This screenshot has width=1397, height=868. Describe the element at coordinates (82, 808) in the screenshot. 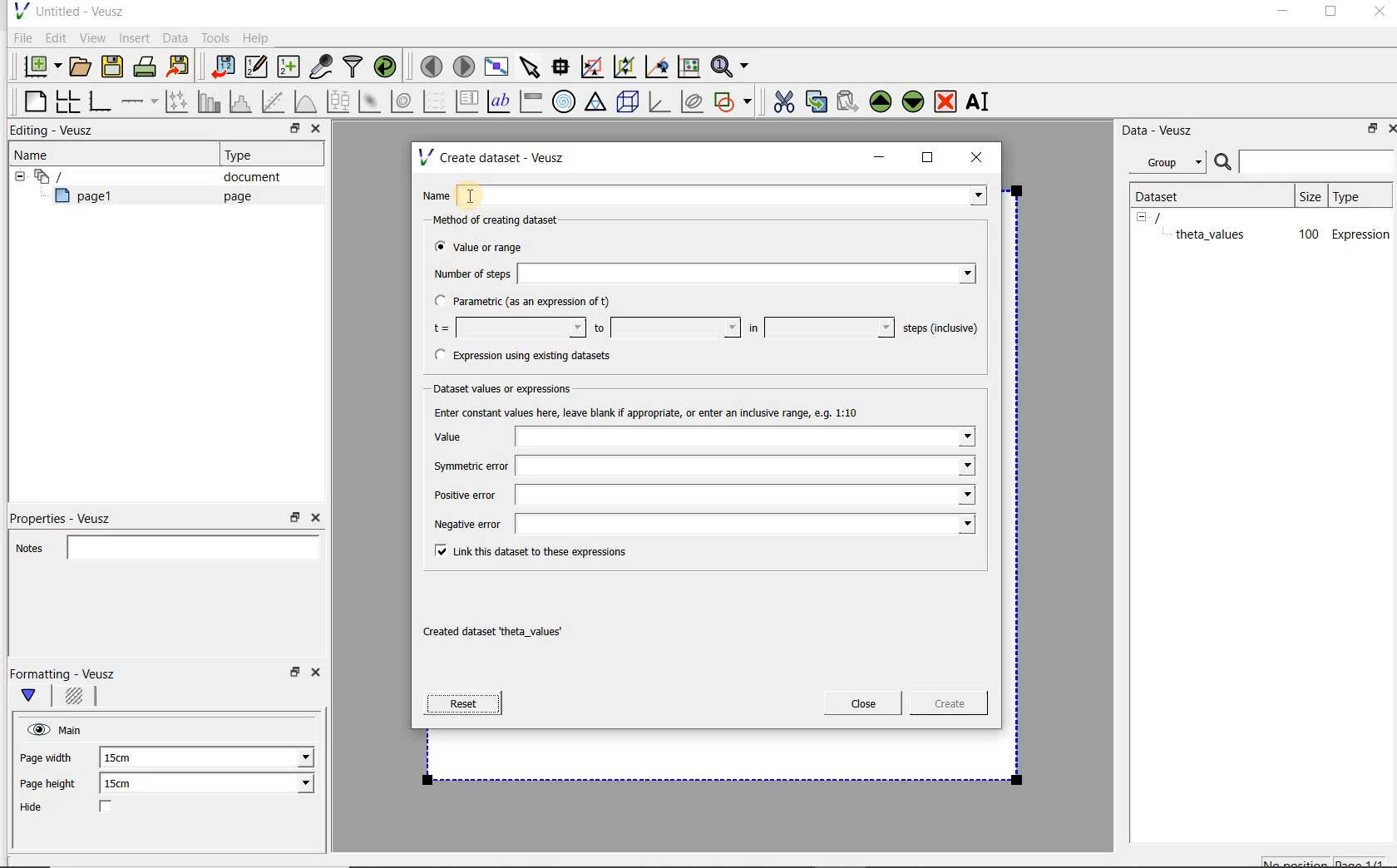

I see `Hide` at that location.